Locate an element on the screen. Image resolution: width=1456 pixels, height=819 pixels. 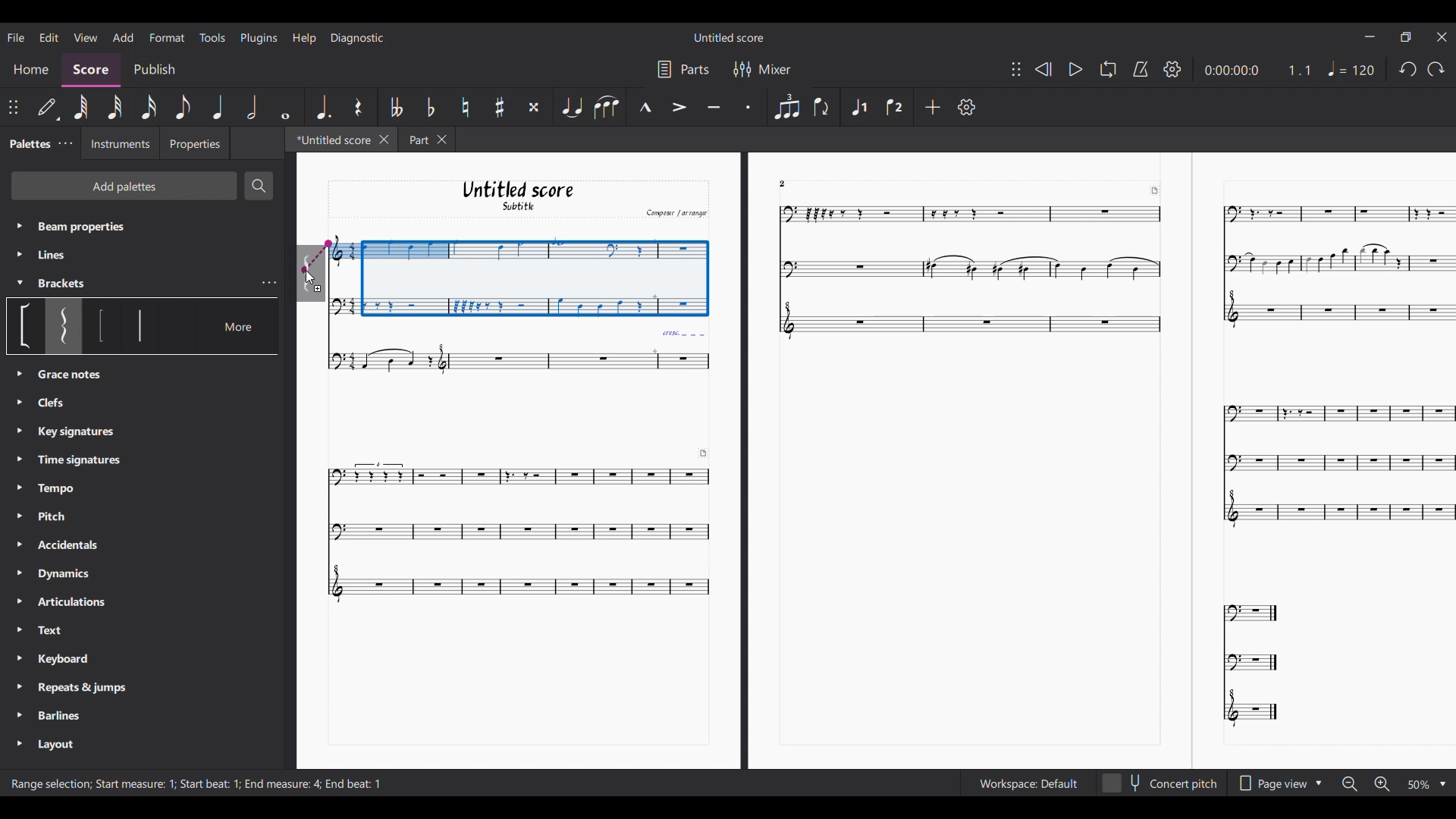
Concert pitch toggle is located at coordinates (1160, 783).